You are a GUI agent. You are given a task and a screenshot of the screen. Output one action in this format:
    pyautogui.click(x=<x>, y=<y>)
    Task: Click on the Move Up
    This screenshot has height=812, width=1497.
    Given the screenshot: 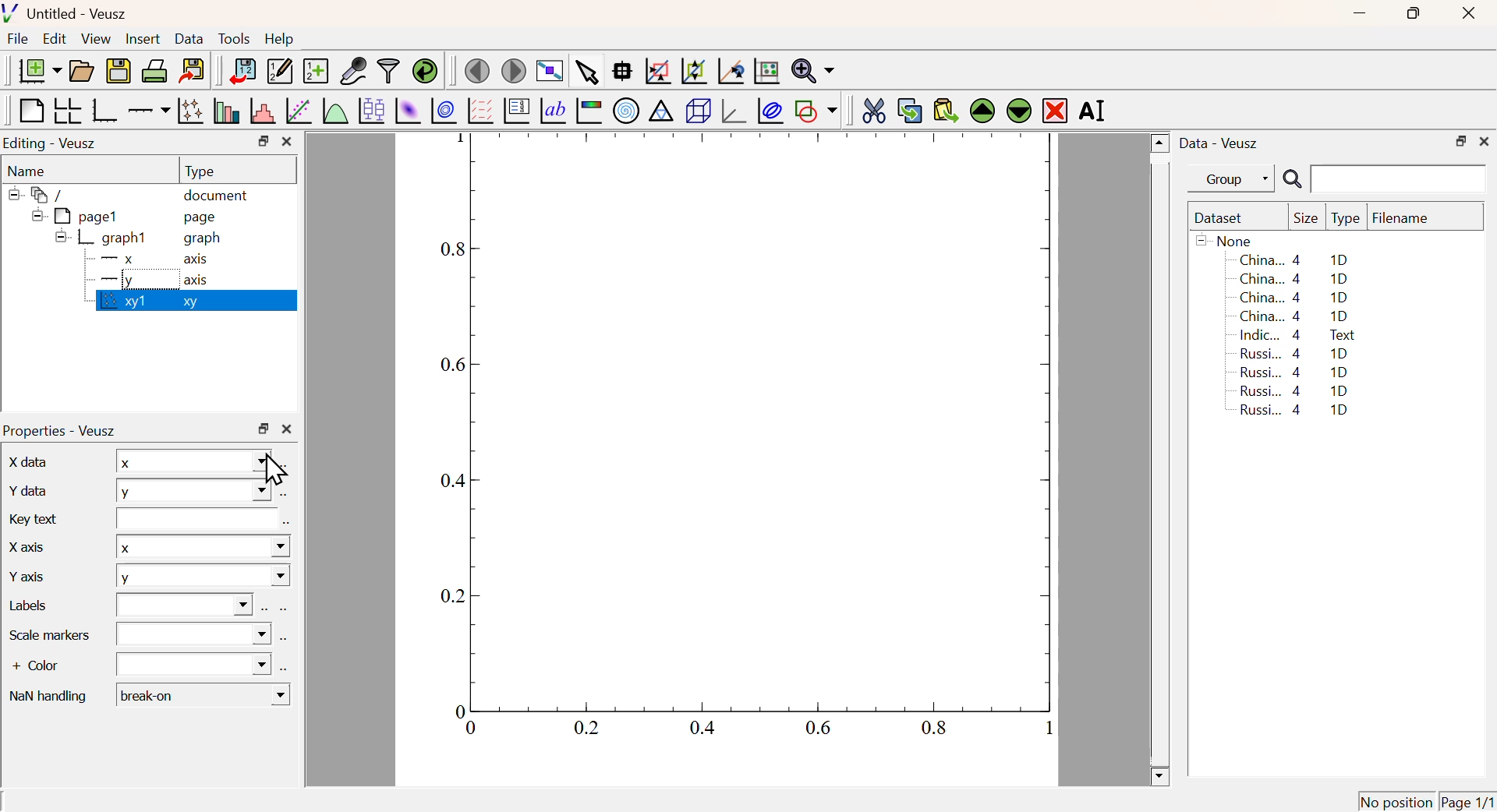 What is the action you would take?
    pyautogui.click(x=984, y=111)
    